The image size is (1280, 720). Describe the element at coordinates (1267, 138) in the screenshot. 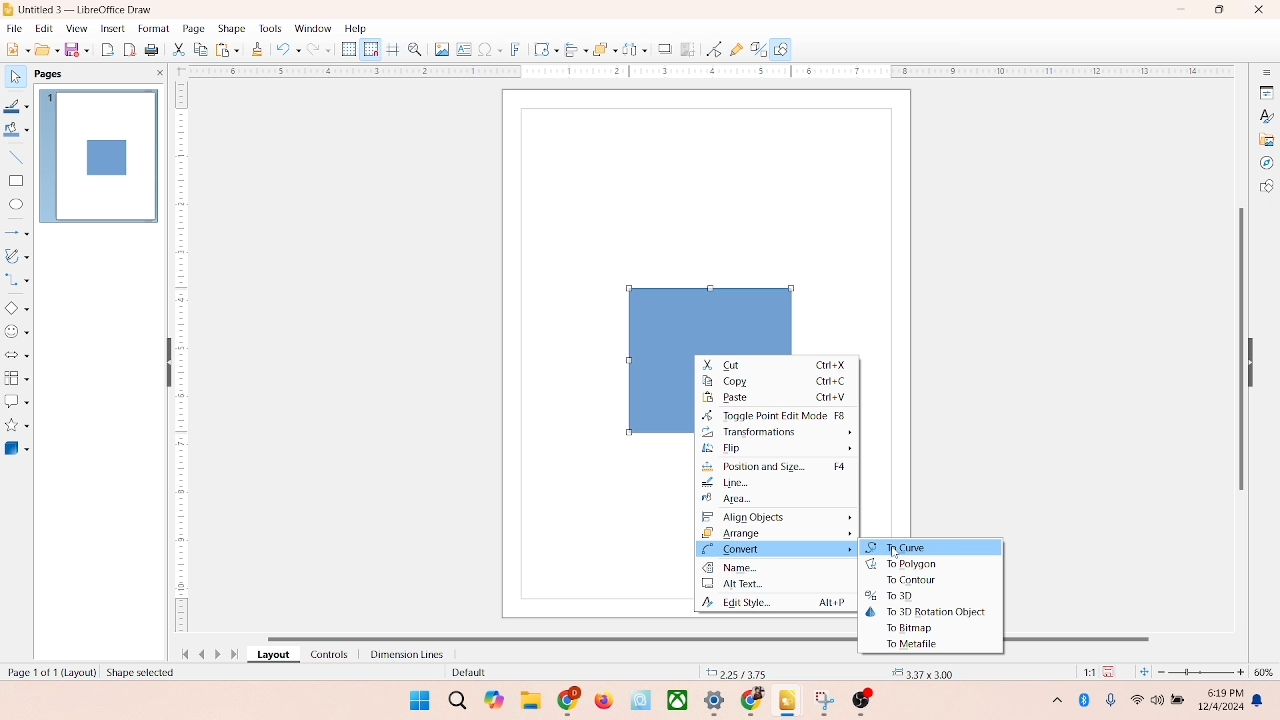

I see `gallery` at that location.